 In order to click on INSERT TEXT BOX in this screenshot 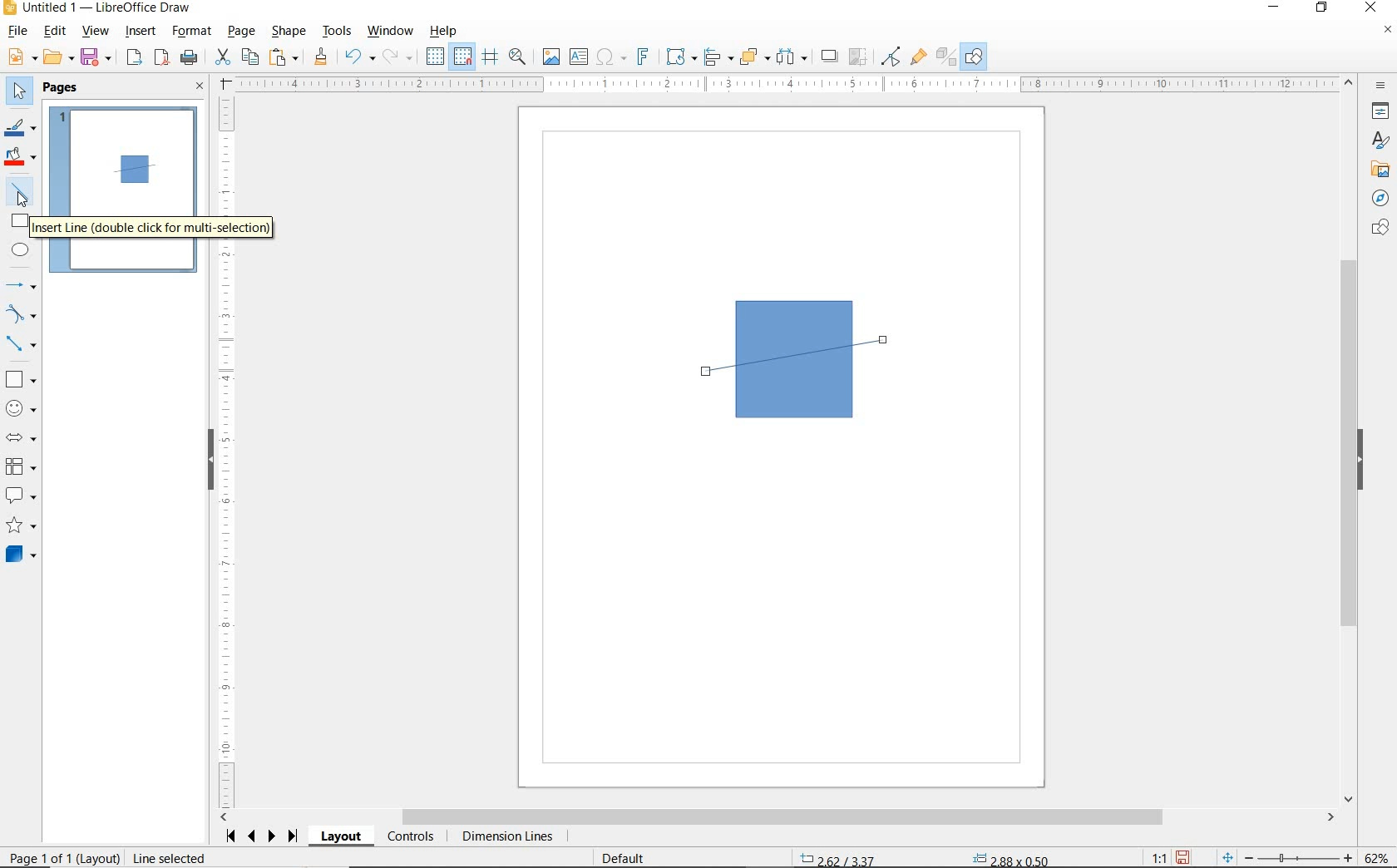, I will do `click(578, 57)`.